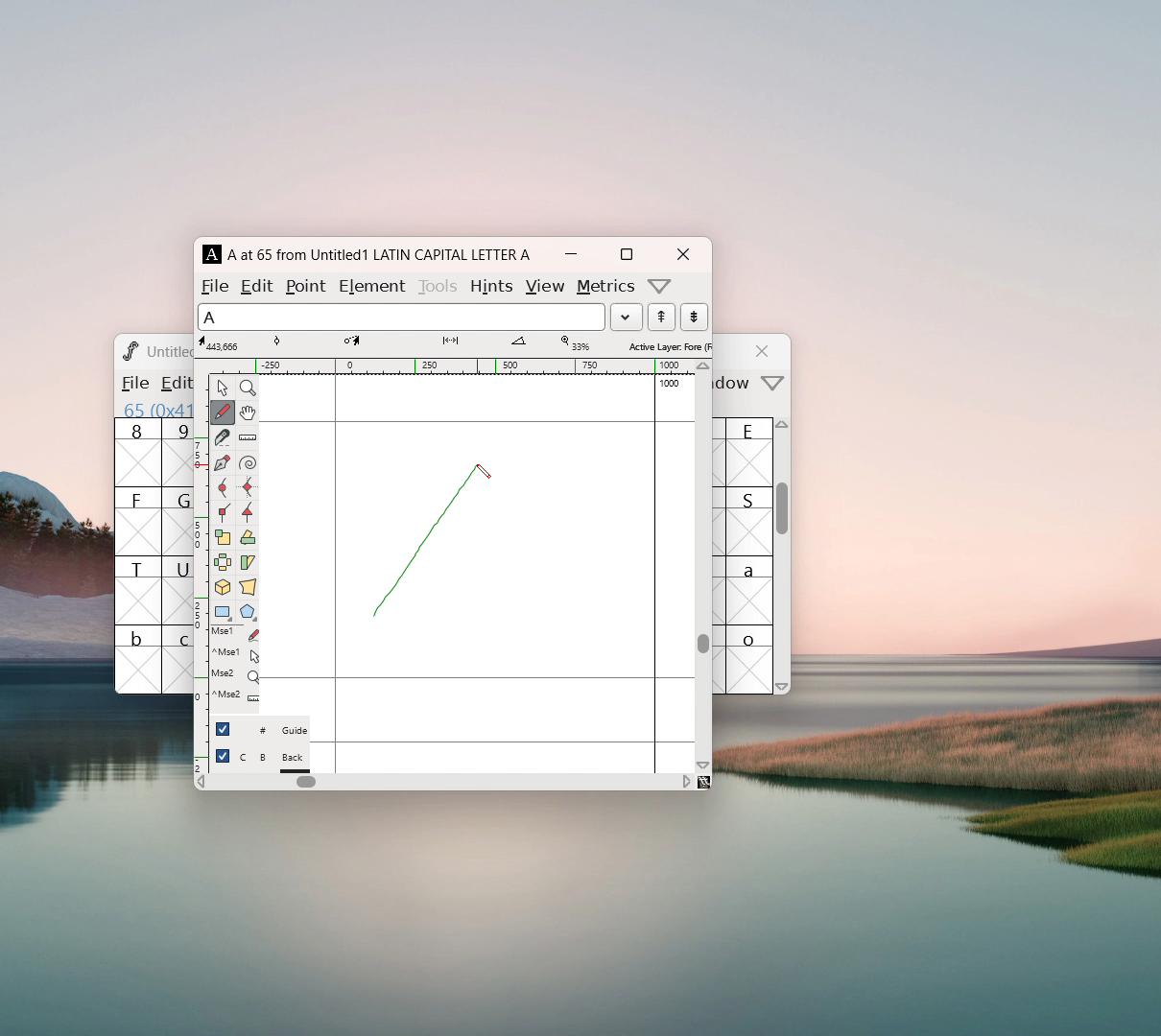 Image resolution: width=1161 pixels, height=1036 pixels. What do you see at coordinates (306, 782) in the screenshot?
I see `horizontal scrollbar` at bounding box center [306, 782].